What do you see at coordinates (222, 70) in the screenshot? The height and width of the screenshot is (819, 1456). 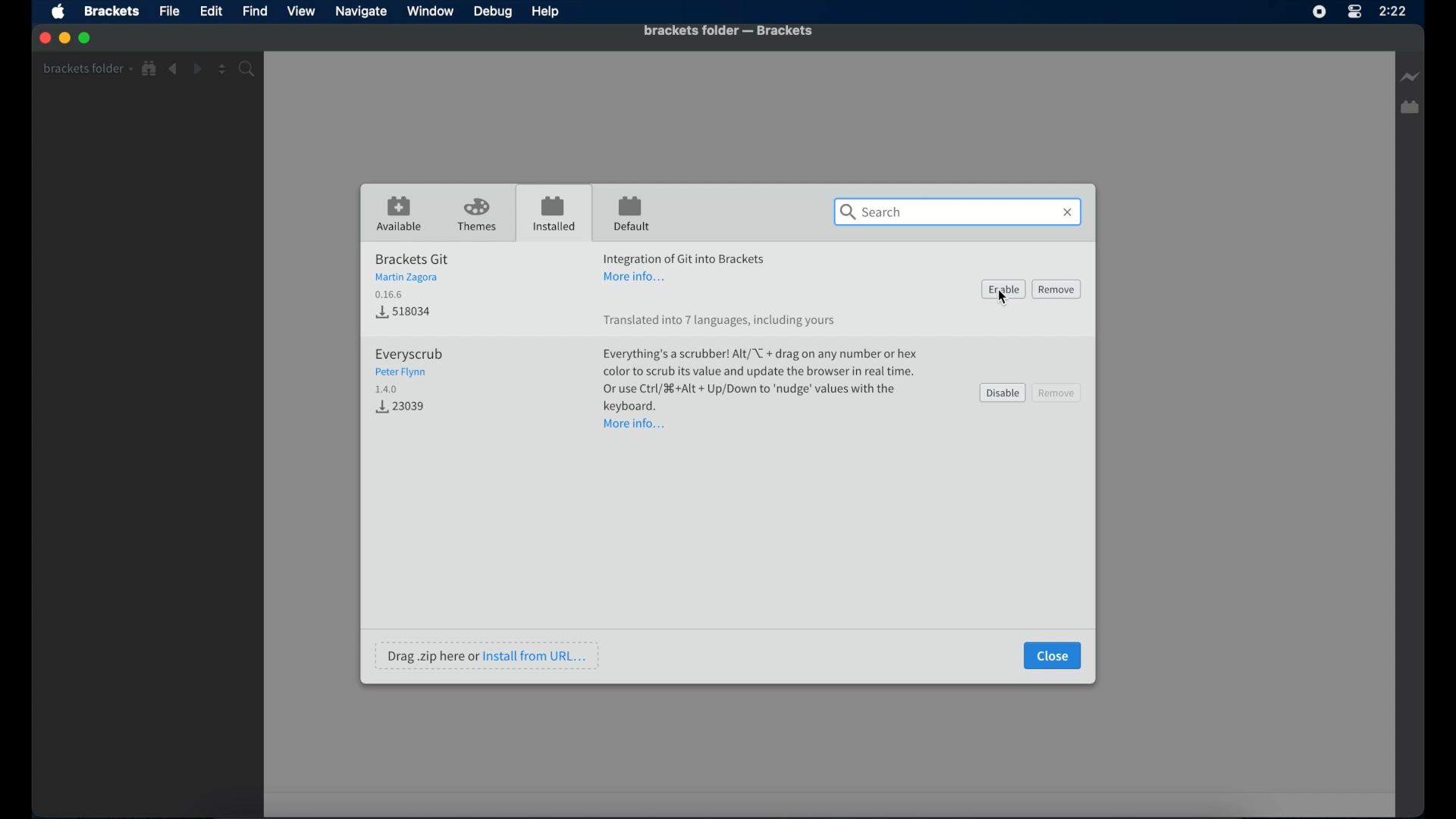 I see `split editor vertical or horizontal` at bounding box center [222, 70].